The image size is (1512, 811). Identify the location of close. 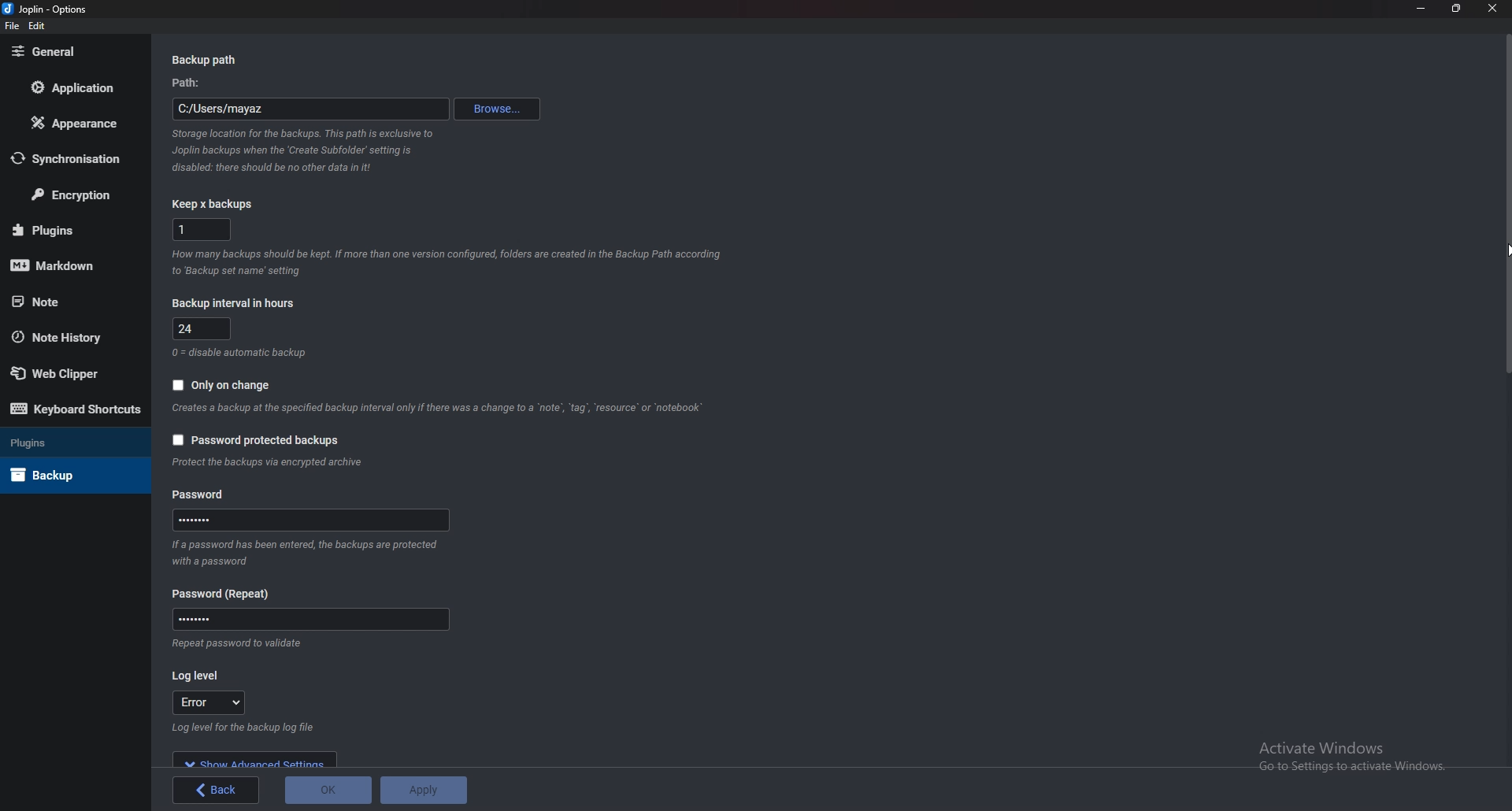
(1491, 8).